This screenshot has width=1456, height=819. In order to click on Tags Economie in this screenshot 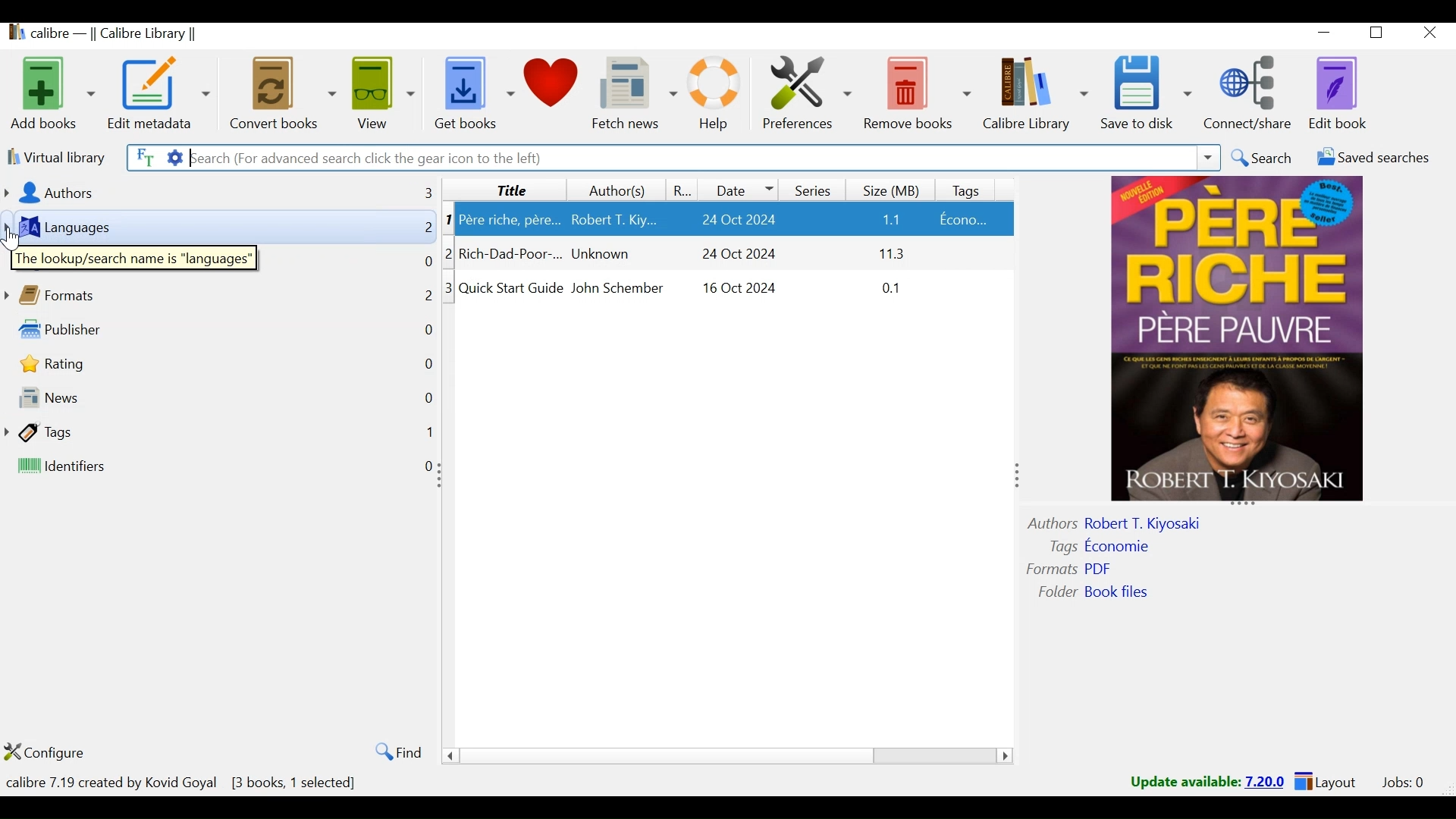, I will do `click(1102, 544)`.